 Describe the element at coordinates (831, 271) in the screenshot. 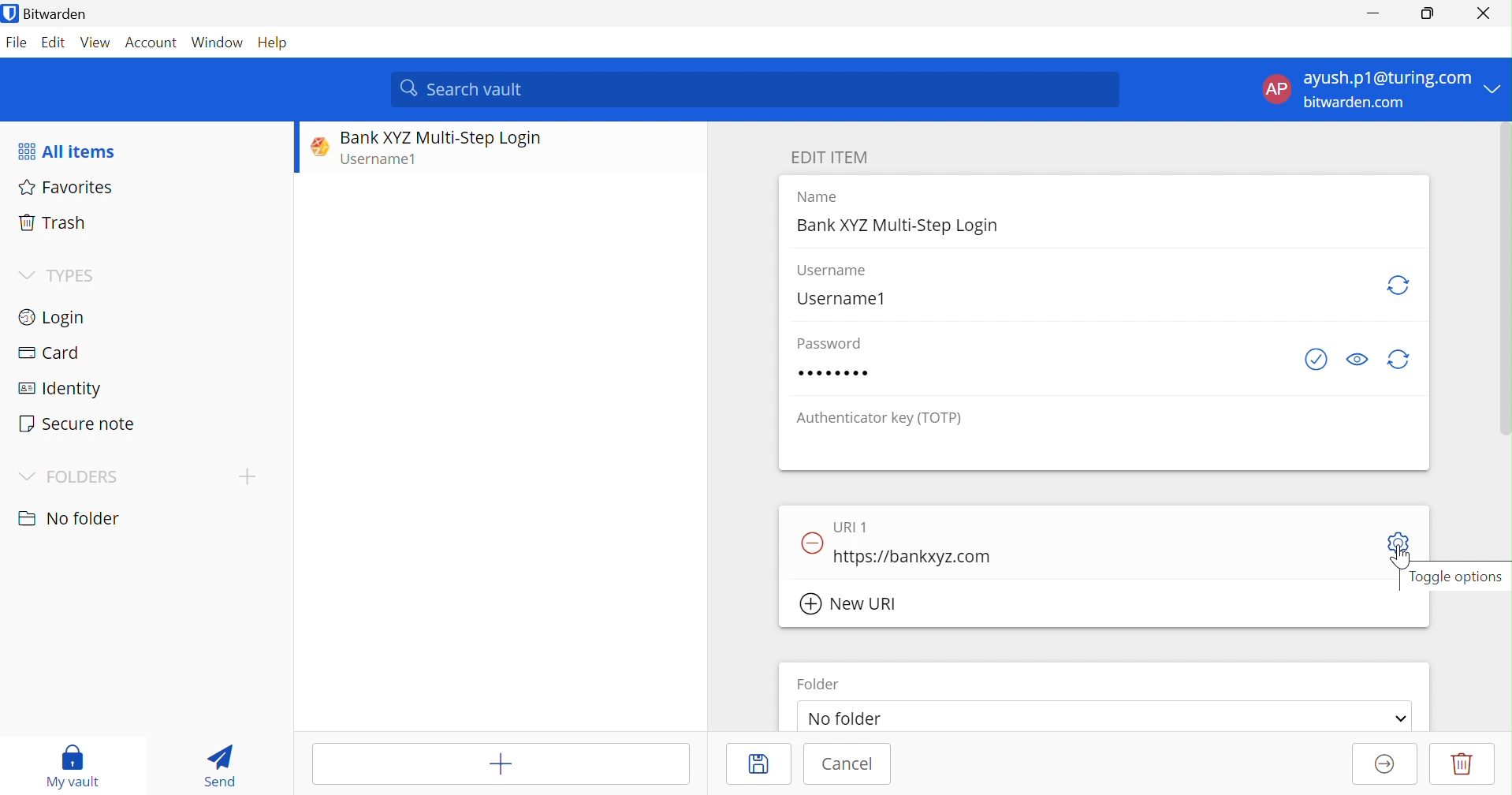

I see `Username` at that location.